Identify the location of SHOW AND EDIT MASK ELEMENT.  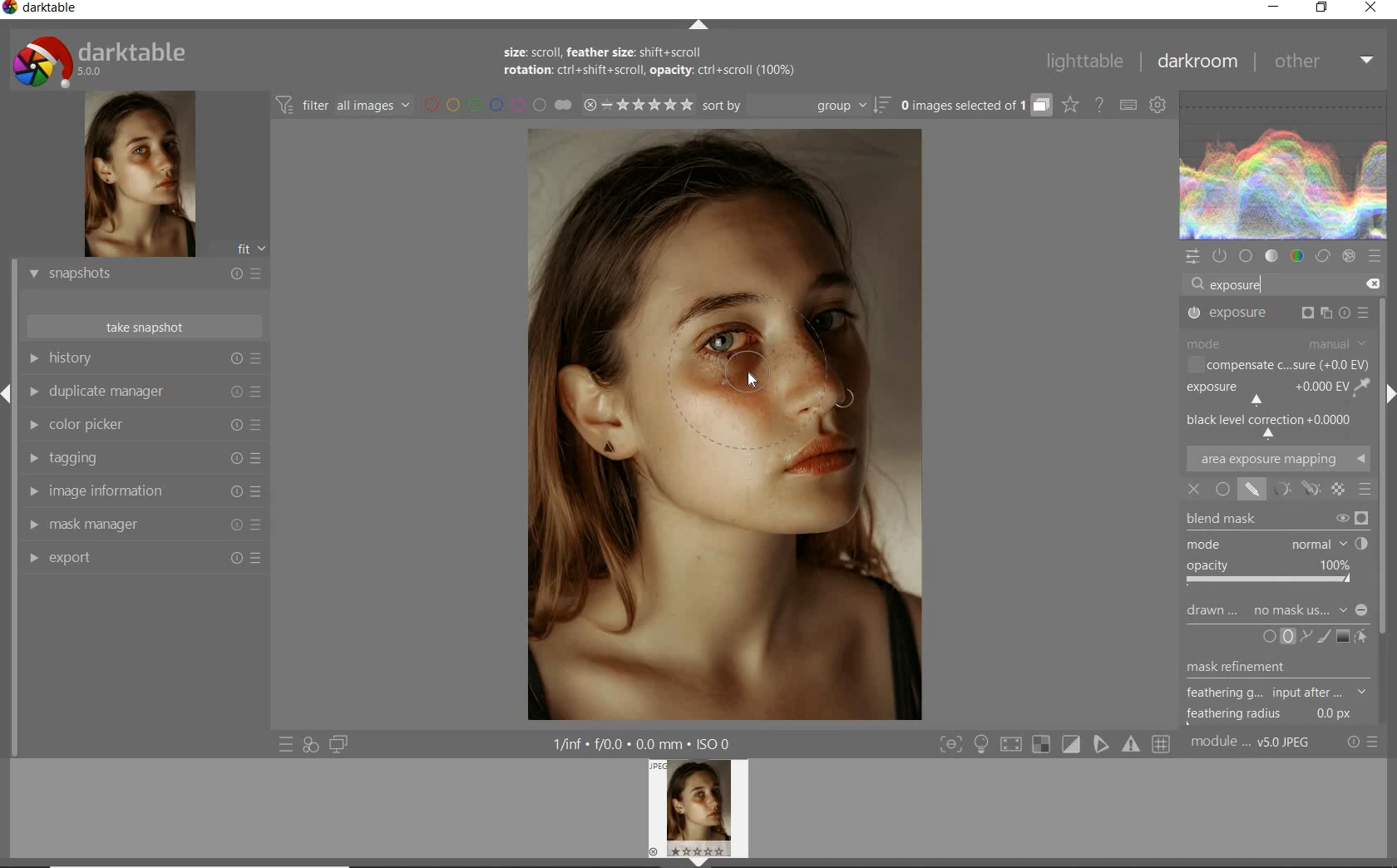
(1363, 638).